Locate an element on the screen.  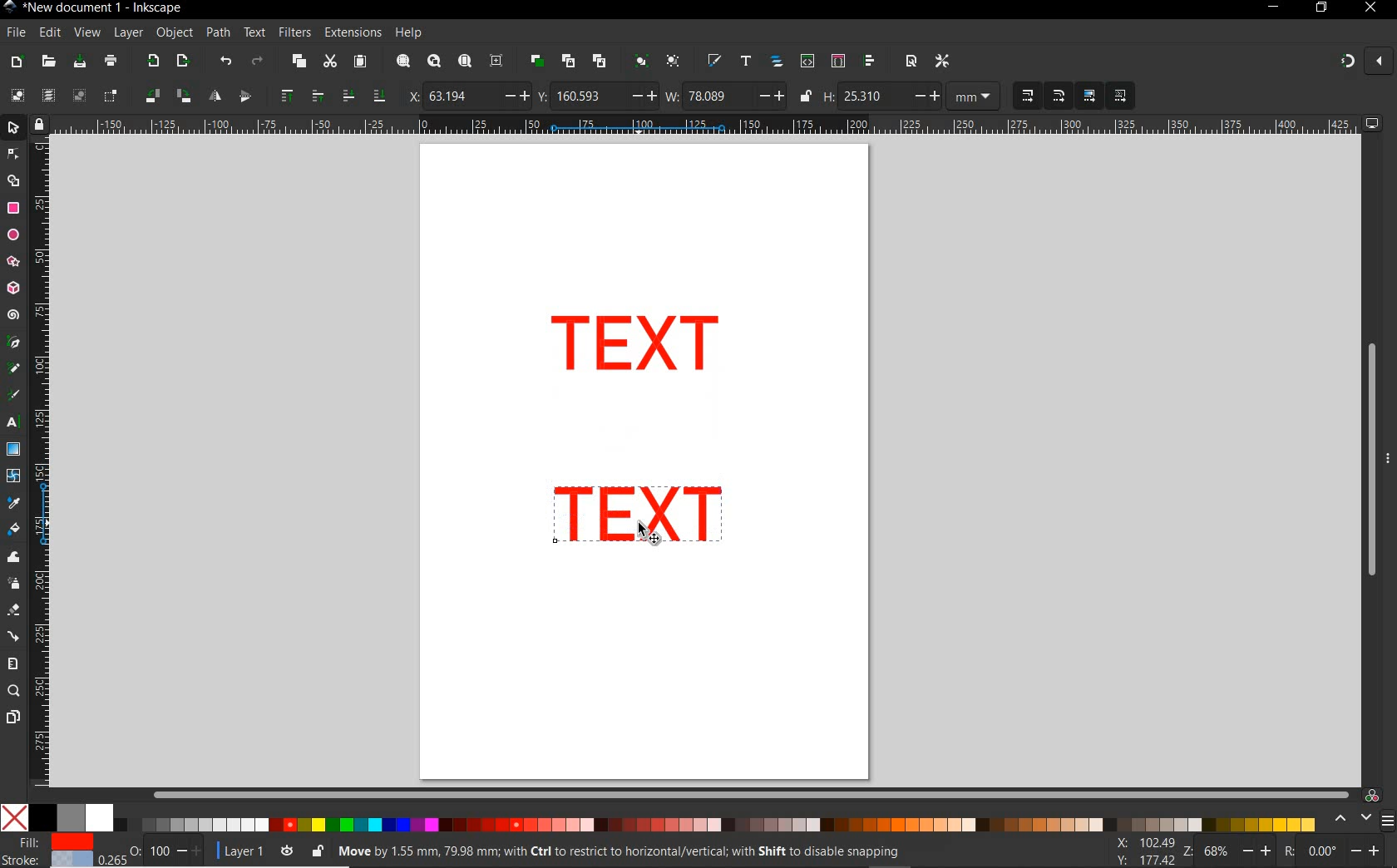
connector tool is located at coordinates (13, 636).